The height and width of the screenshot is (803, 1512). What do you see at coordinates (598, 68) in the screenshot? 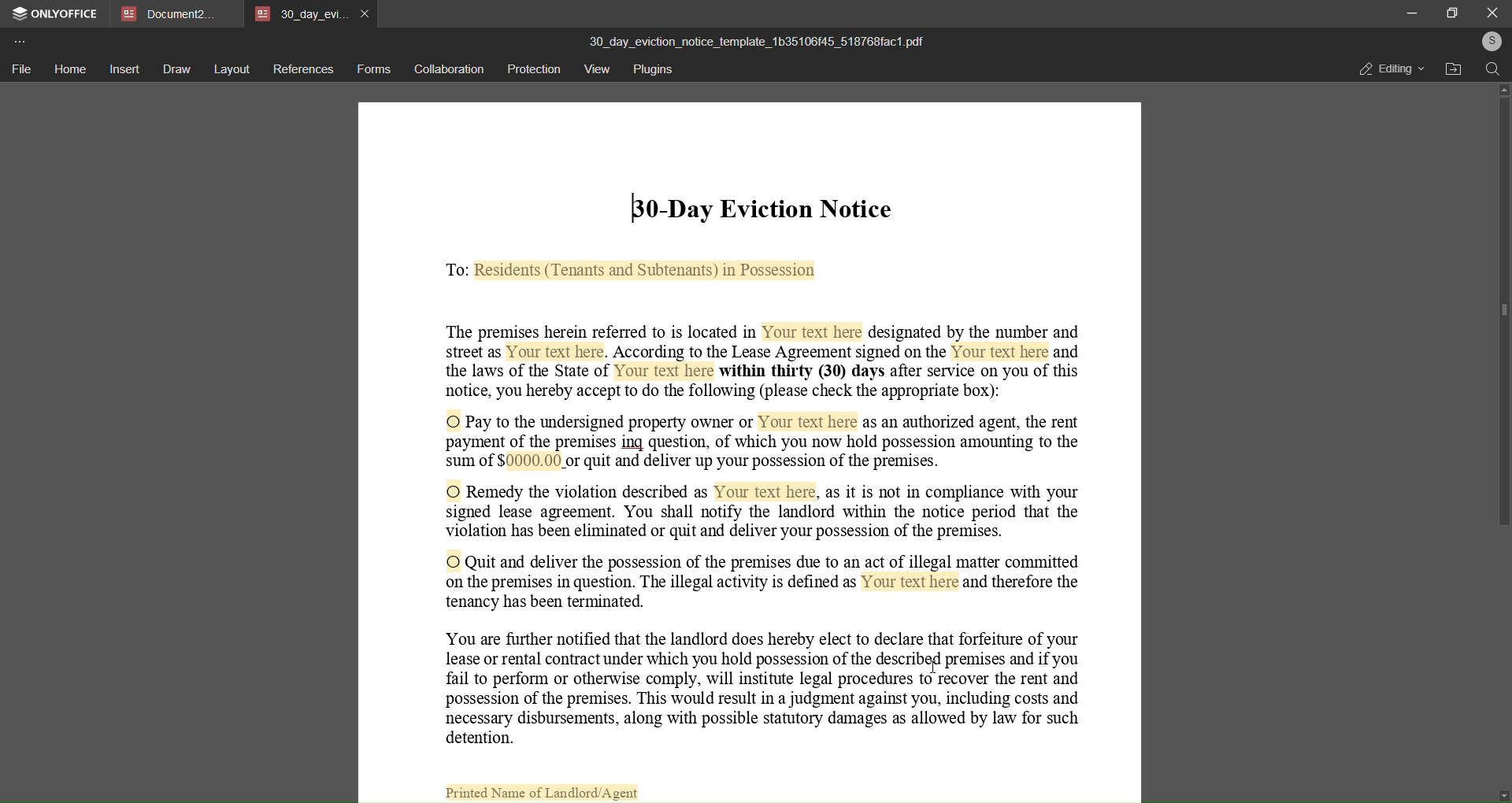
I see `view` at bounding box center [598, 68].